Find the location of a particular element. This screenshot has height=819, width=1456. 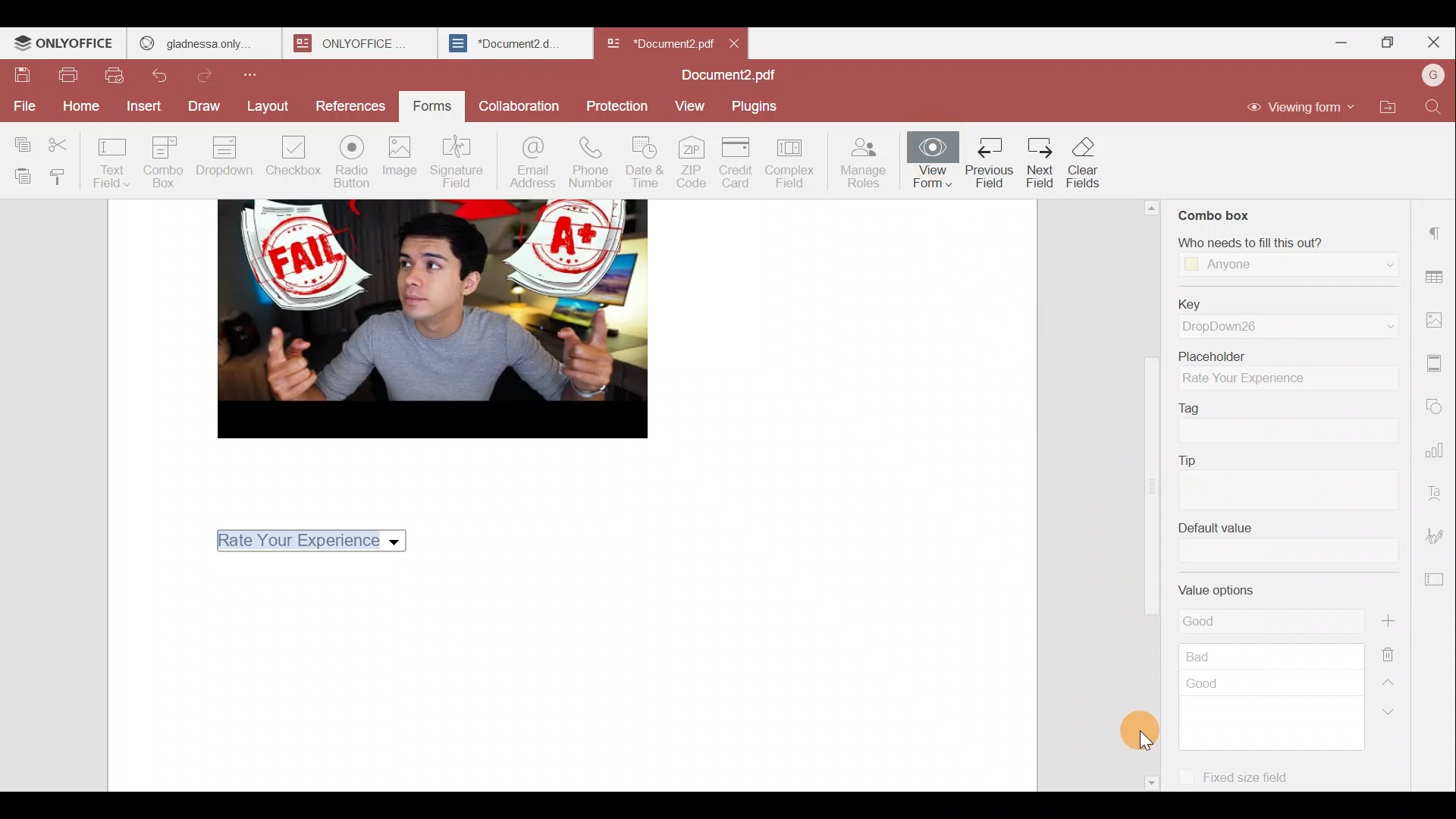

Protection is located at coordinates (616, 103).